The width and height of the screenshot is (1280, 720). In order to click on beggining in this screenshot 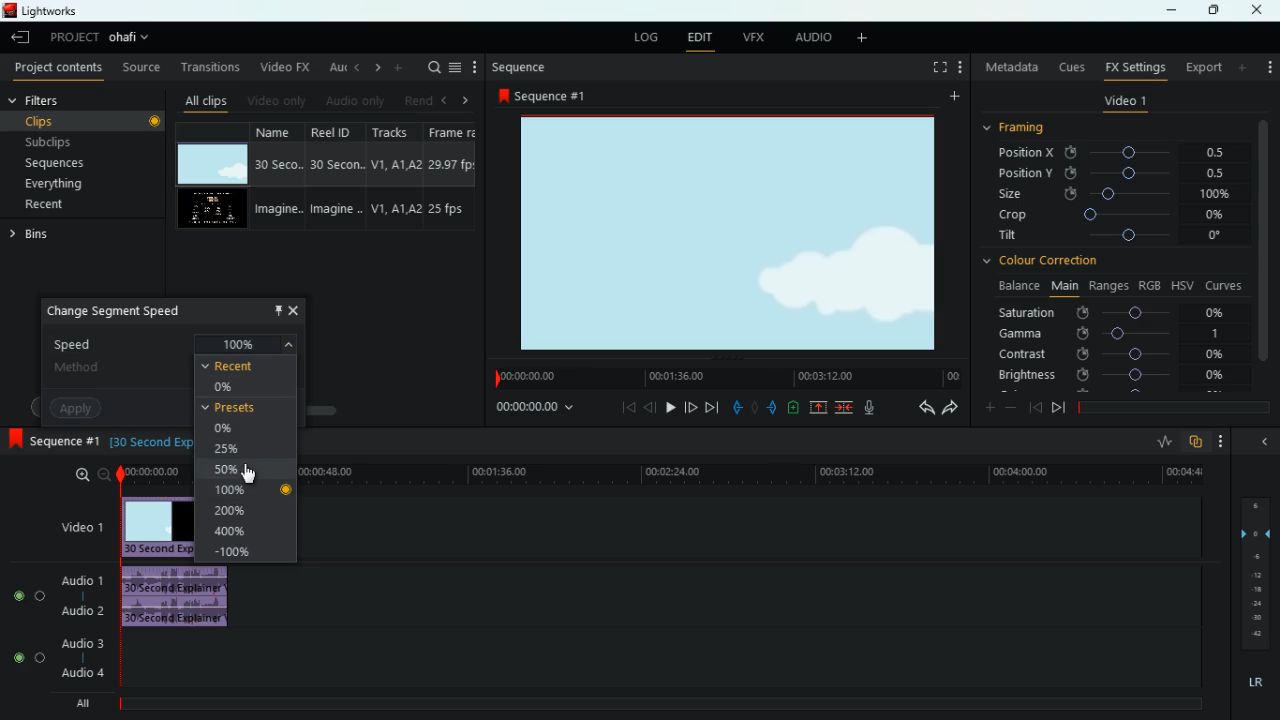, I will do `click(622, 409)`.